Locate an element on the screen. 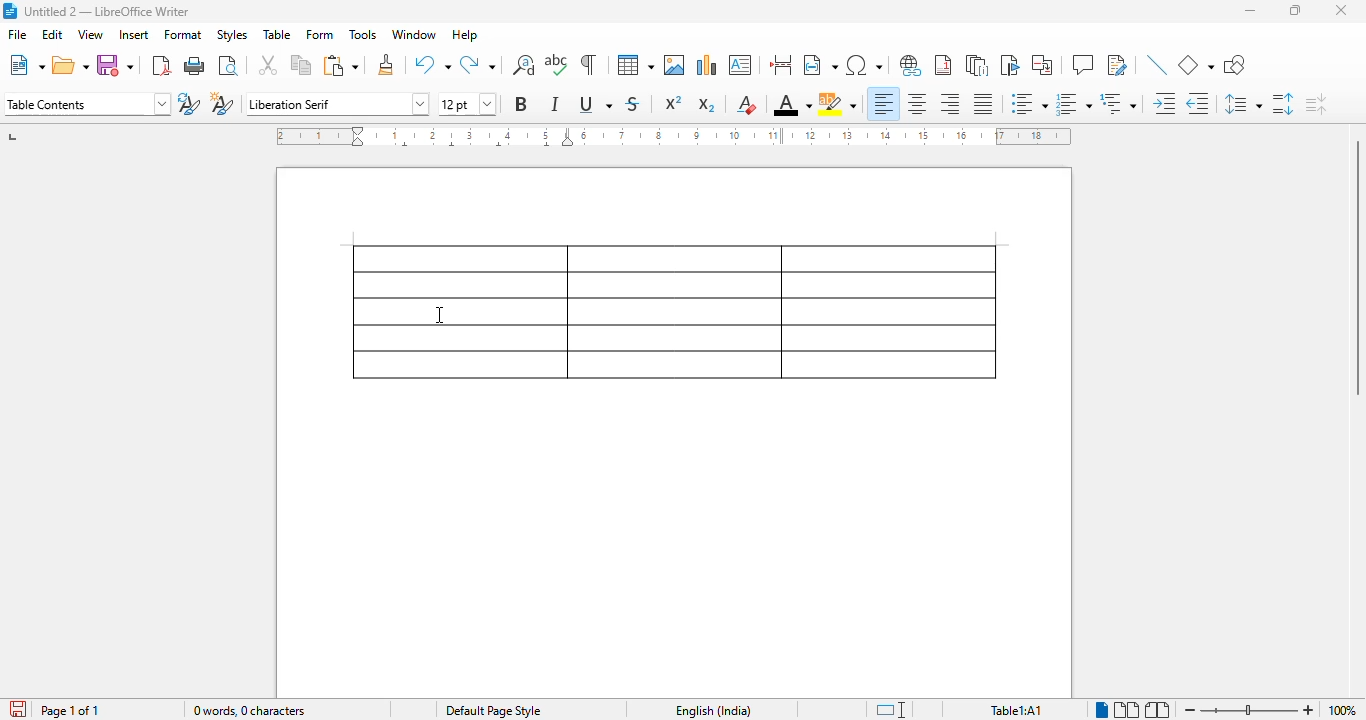 The height and width of the screenshot is (720, 1366). decrease paragraph spacing is located at coordinates (1315, 104).